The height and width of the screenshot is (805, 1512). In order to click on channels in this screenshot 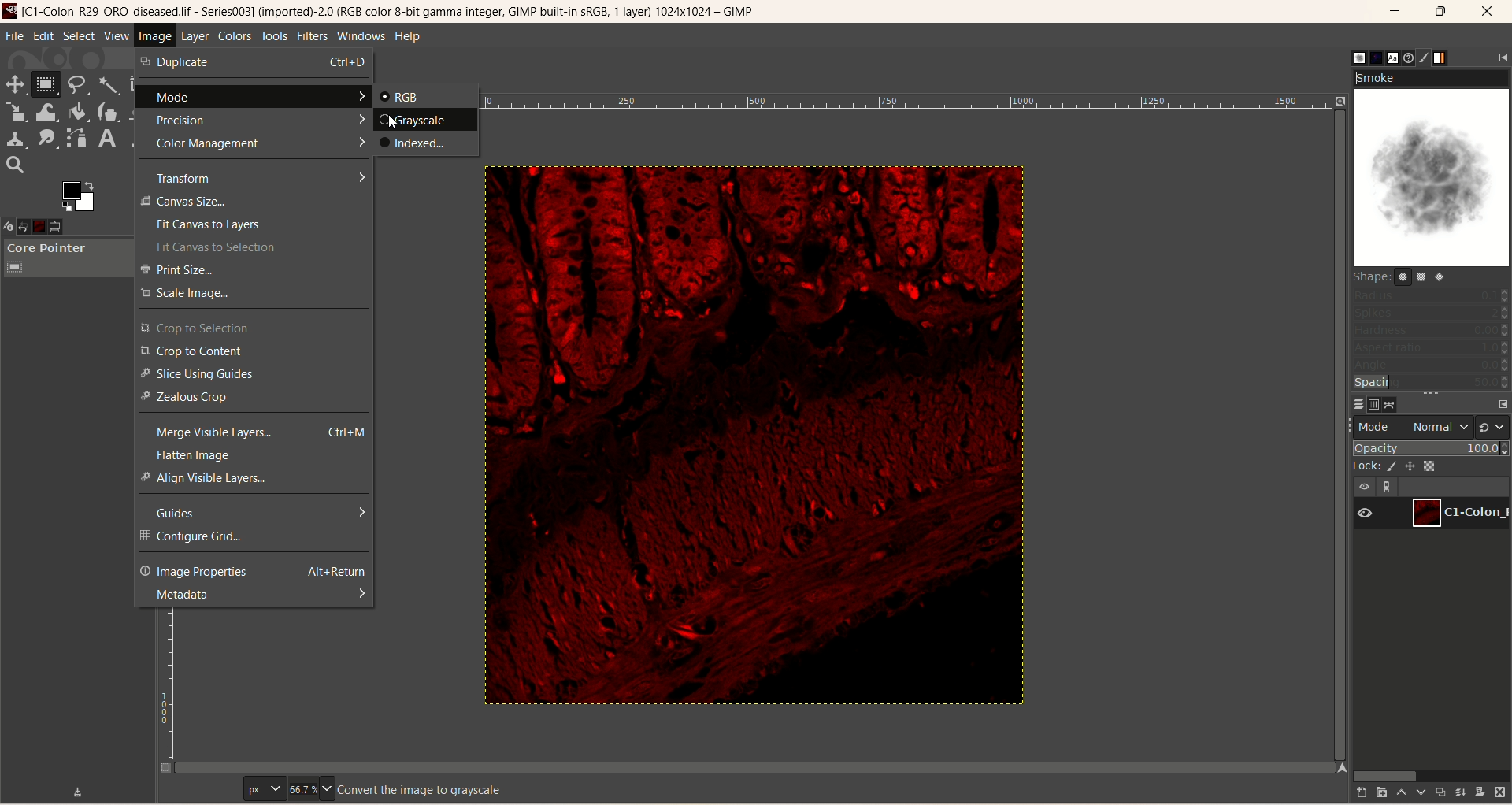, I will do `click(1377, 405)`.